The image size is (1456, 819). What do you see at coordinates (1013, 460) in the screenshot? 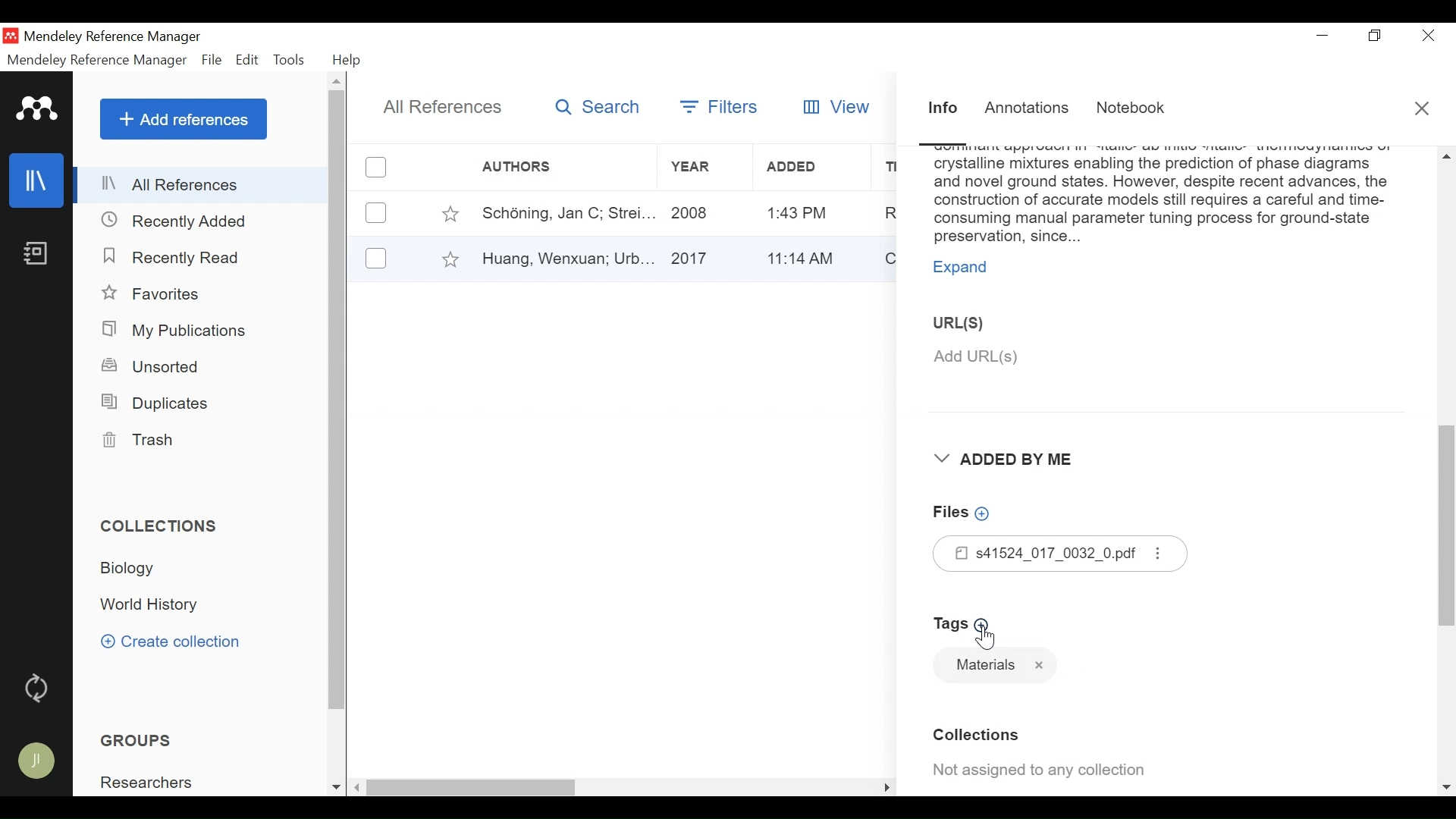
I see `Added By Me` at bounding box center [1013, 460].